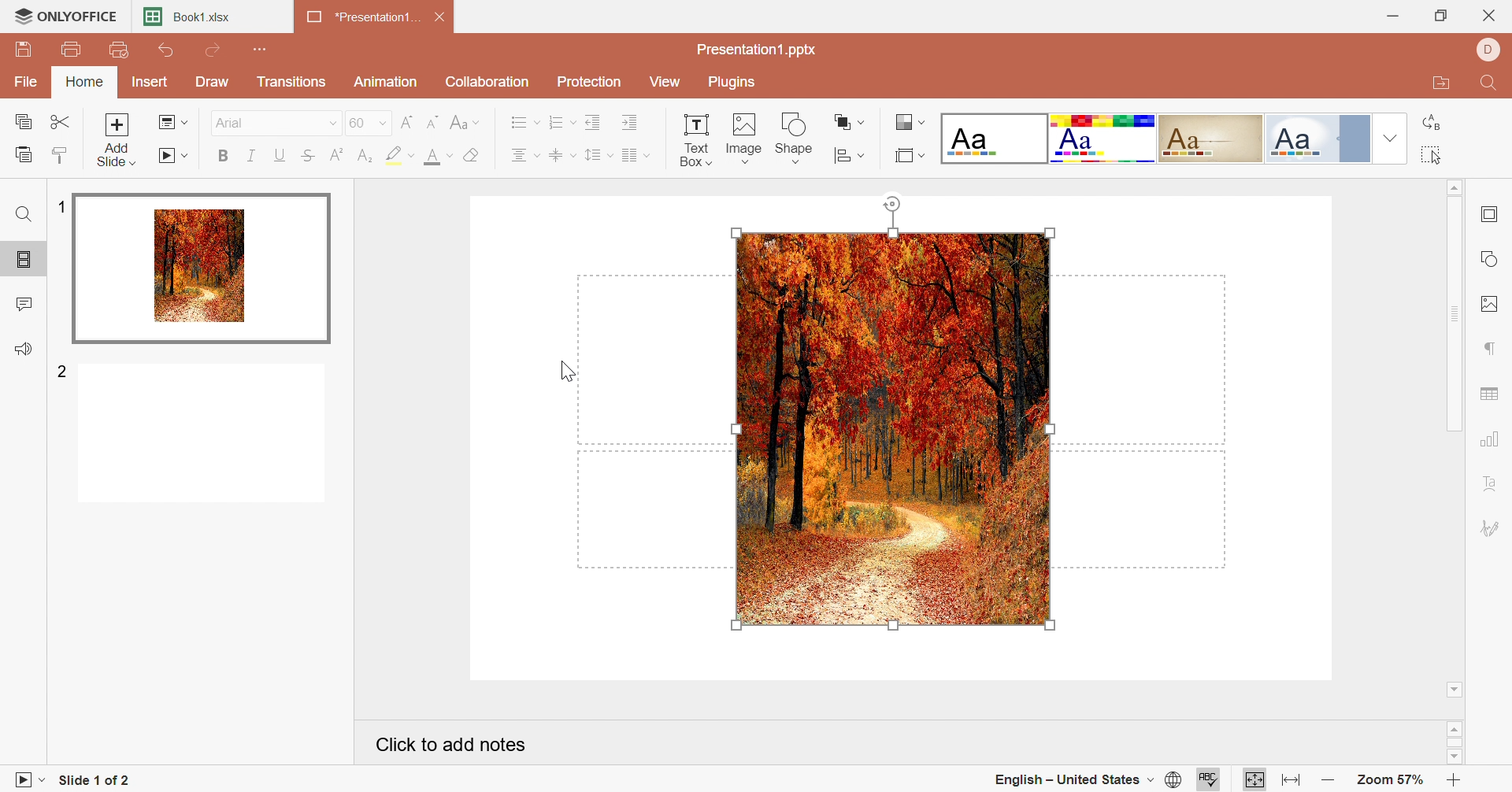 The height and width of the screenshot is (792, 1512). Describe the element at coordinates (695, 138) in the screenshot. I see `Text Box` at that location.